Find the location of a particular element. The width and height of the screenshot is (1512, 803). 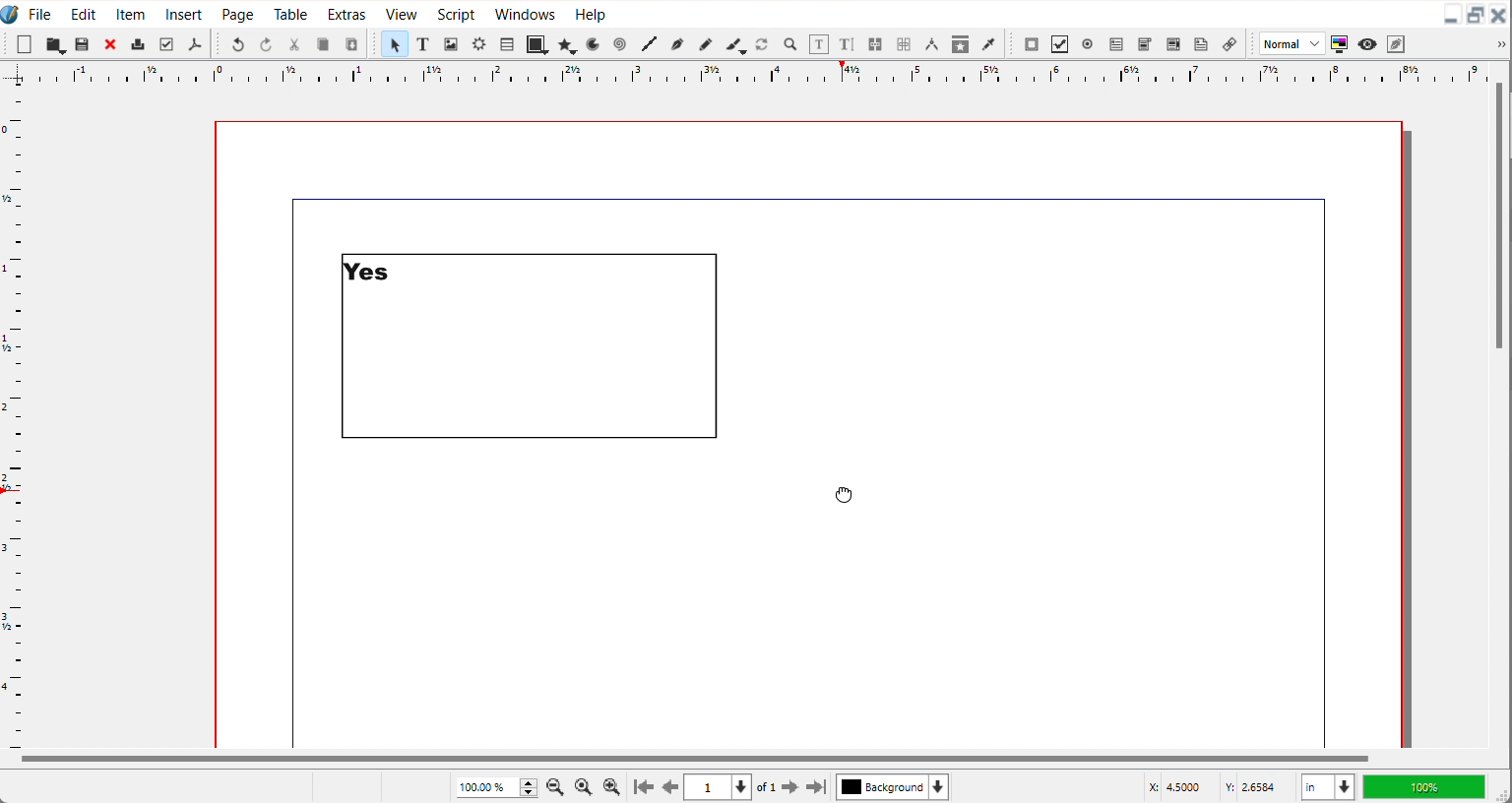

Open is located at coordinates (84, 45).